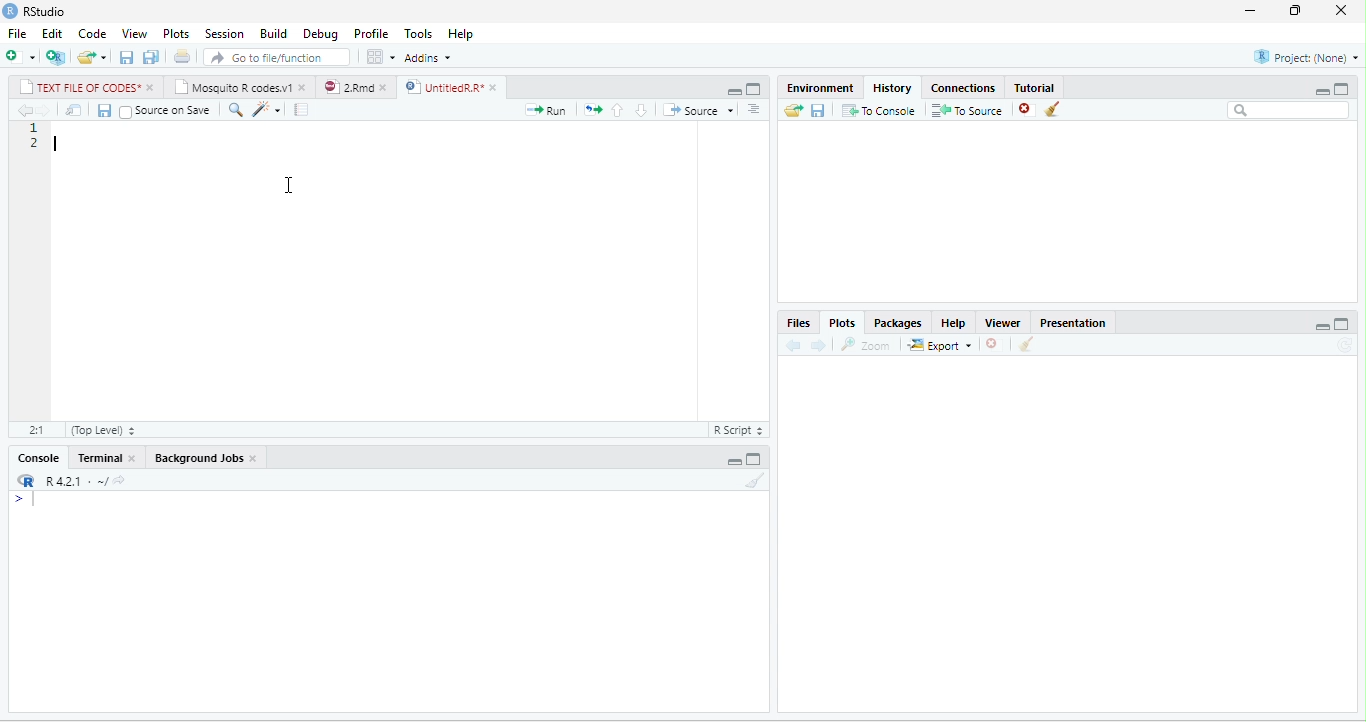 The width and height of the screenshot is (1366, 722). Describe the element at coordinates (817, 111) in the screenshot. I see `save` at that location.